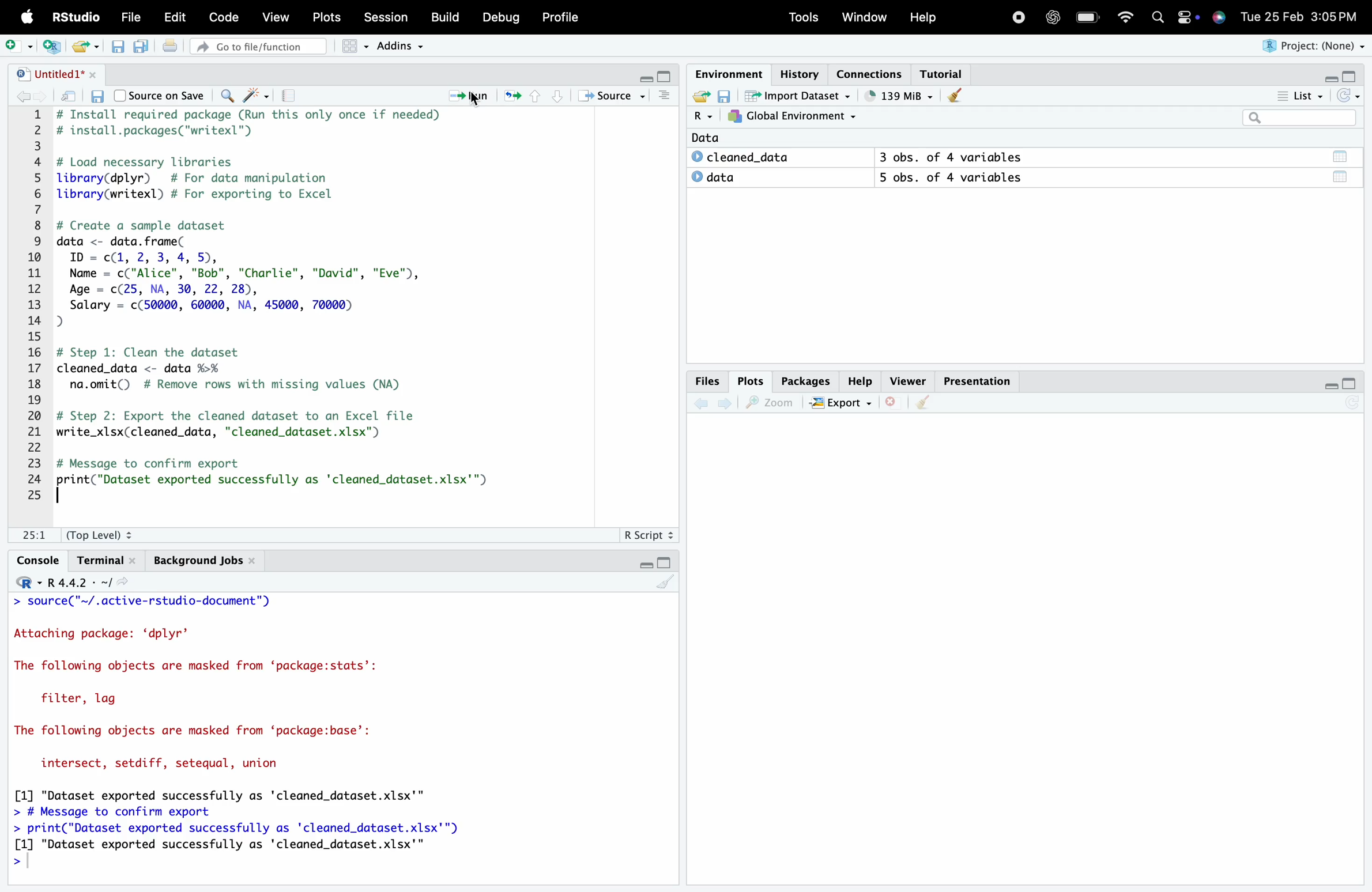 This screenshot has height=892, width=1372. Describe the element at coordinates (795, 118) in the screenshot. I see `Global Environment` at that location.